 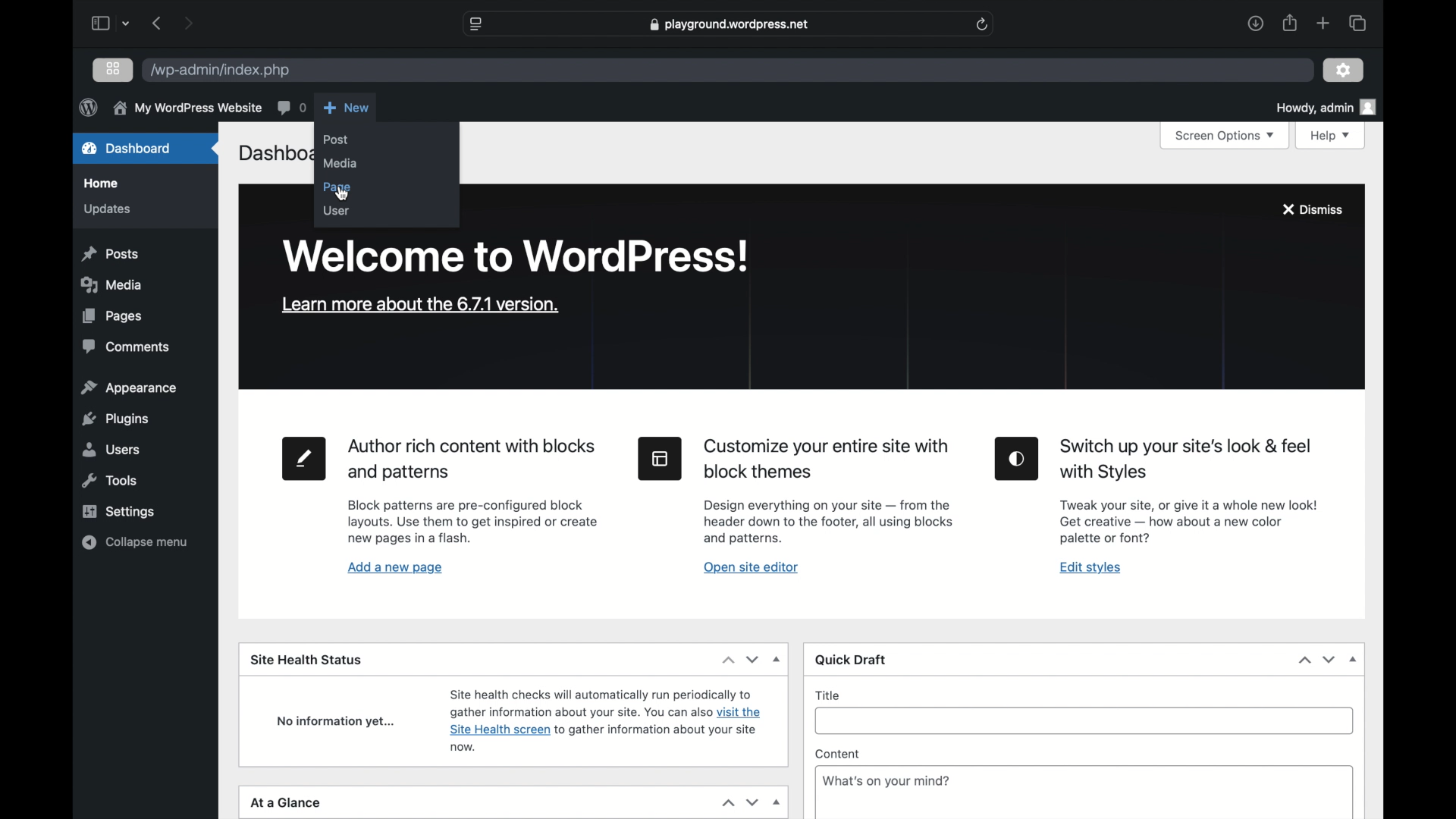 I want to click on Site health check information, so click(x=604, y=720).